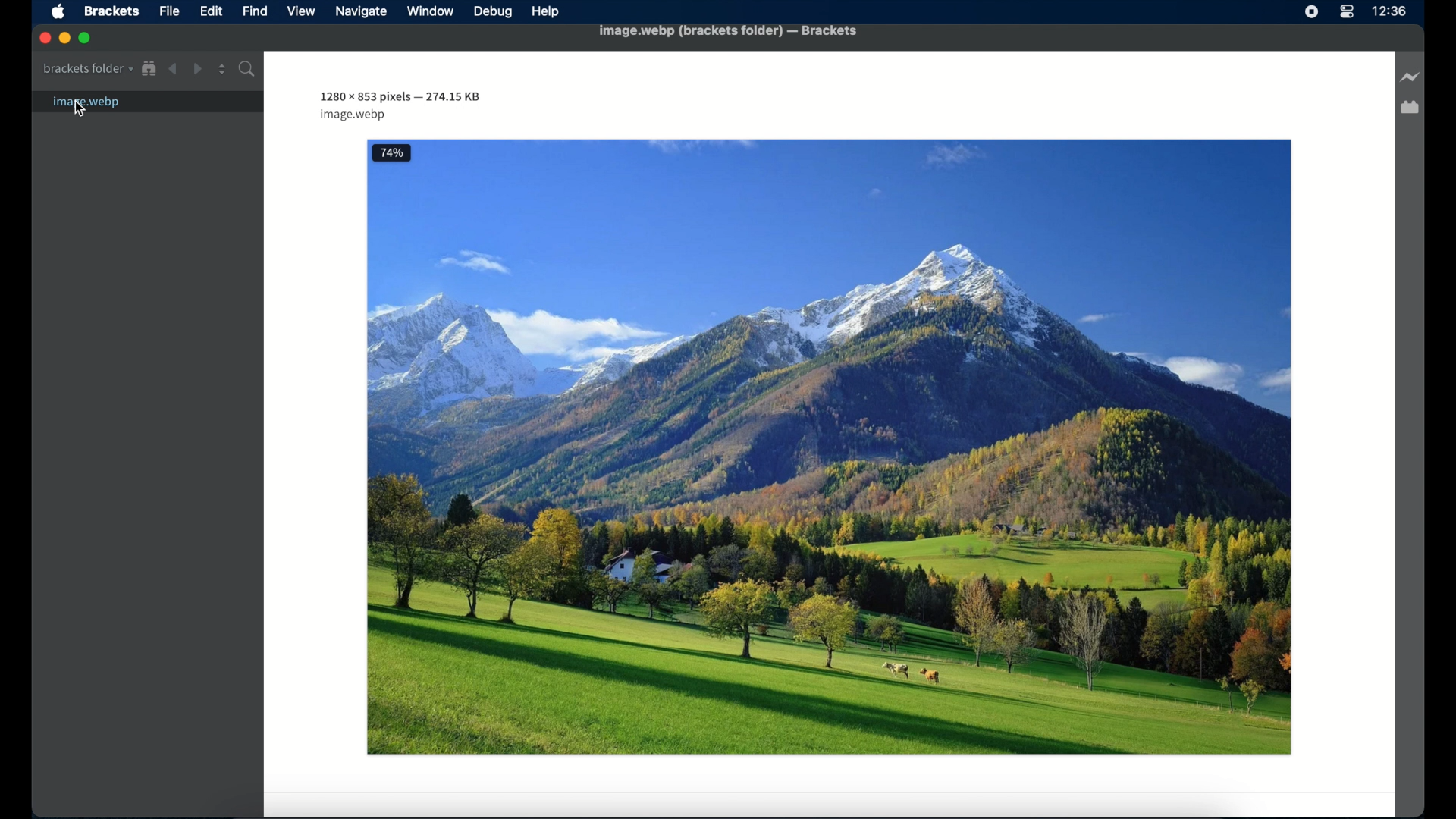 The height and width of the screenshot is (819, 1456). I want to click on image.webp, so click(353, 115).